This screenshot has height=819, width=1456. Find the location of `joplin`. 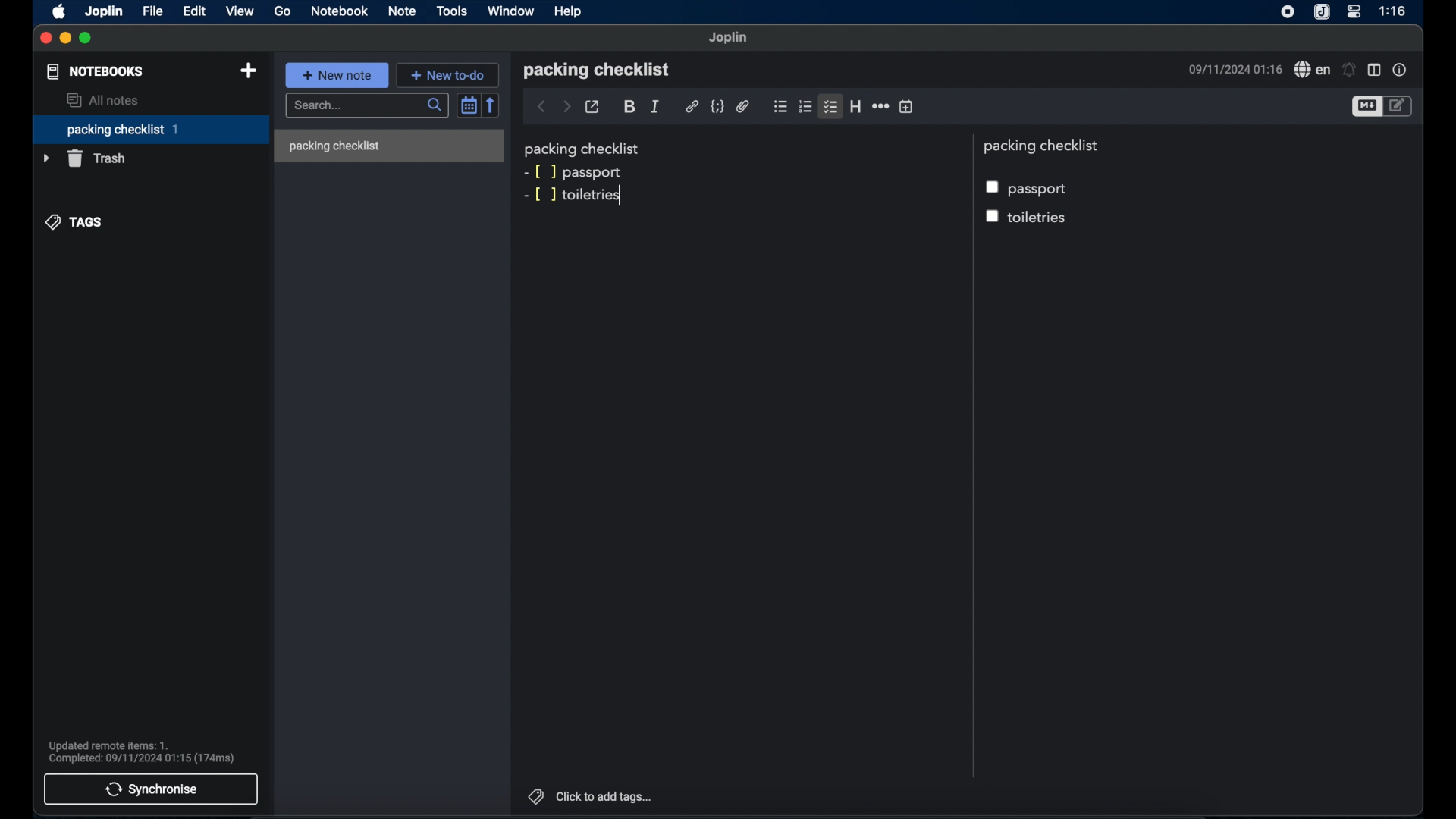

joplin is located at coordinates (105, 12).